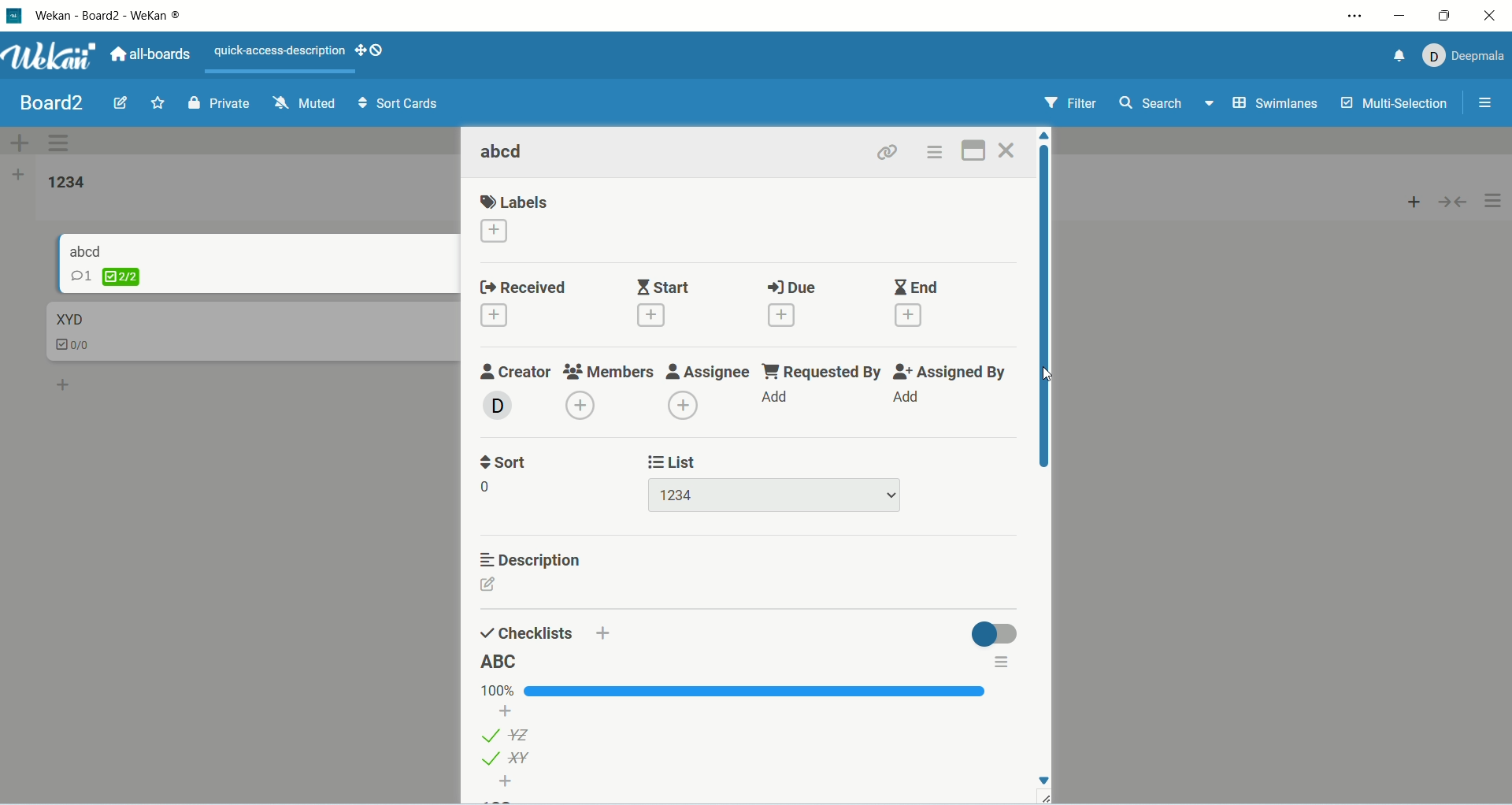 The width and height of the screenshot is (1512, 805). Describe the element at coordinates (69, 318) in the screenshot. I see `card title` at that location.